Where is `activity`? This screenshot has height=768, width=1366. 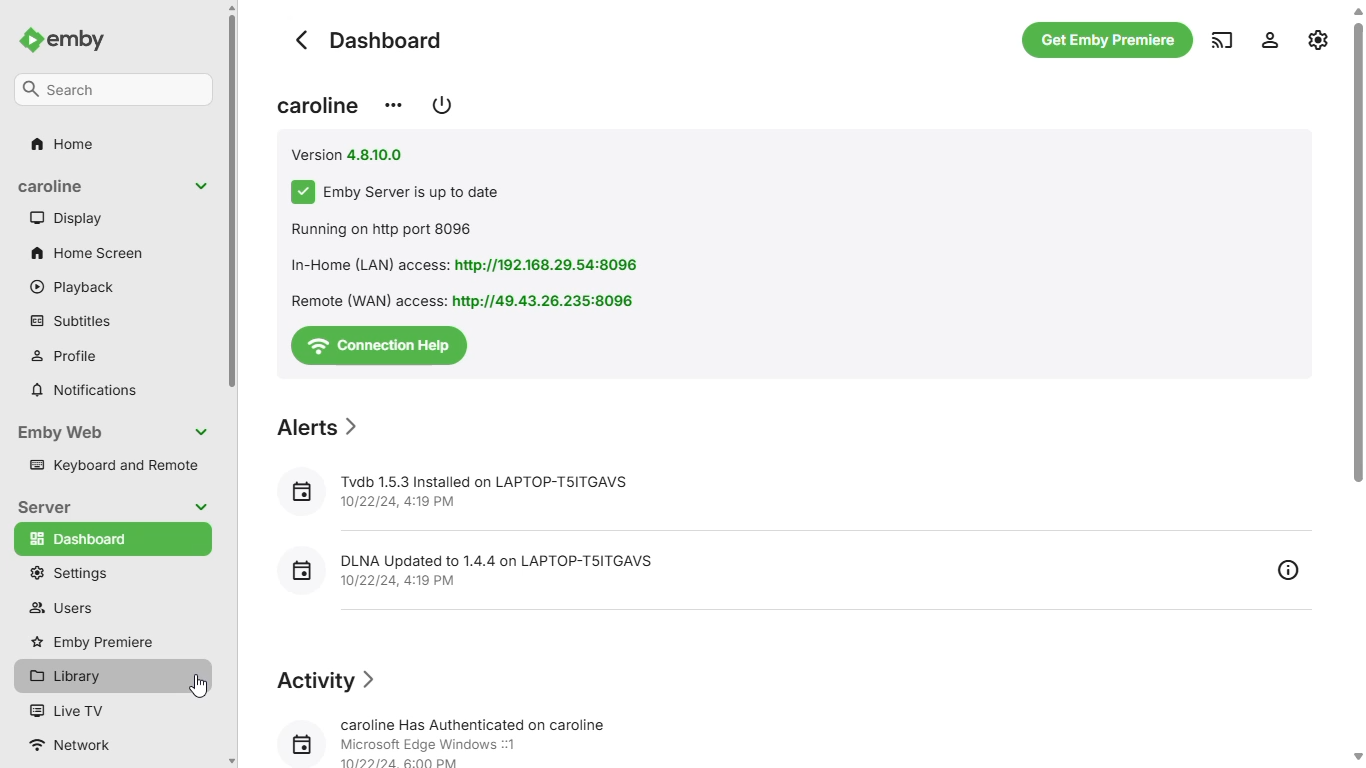
activity is located at coordinates (324, 679).